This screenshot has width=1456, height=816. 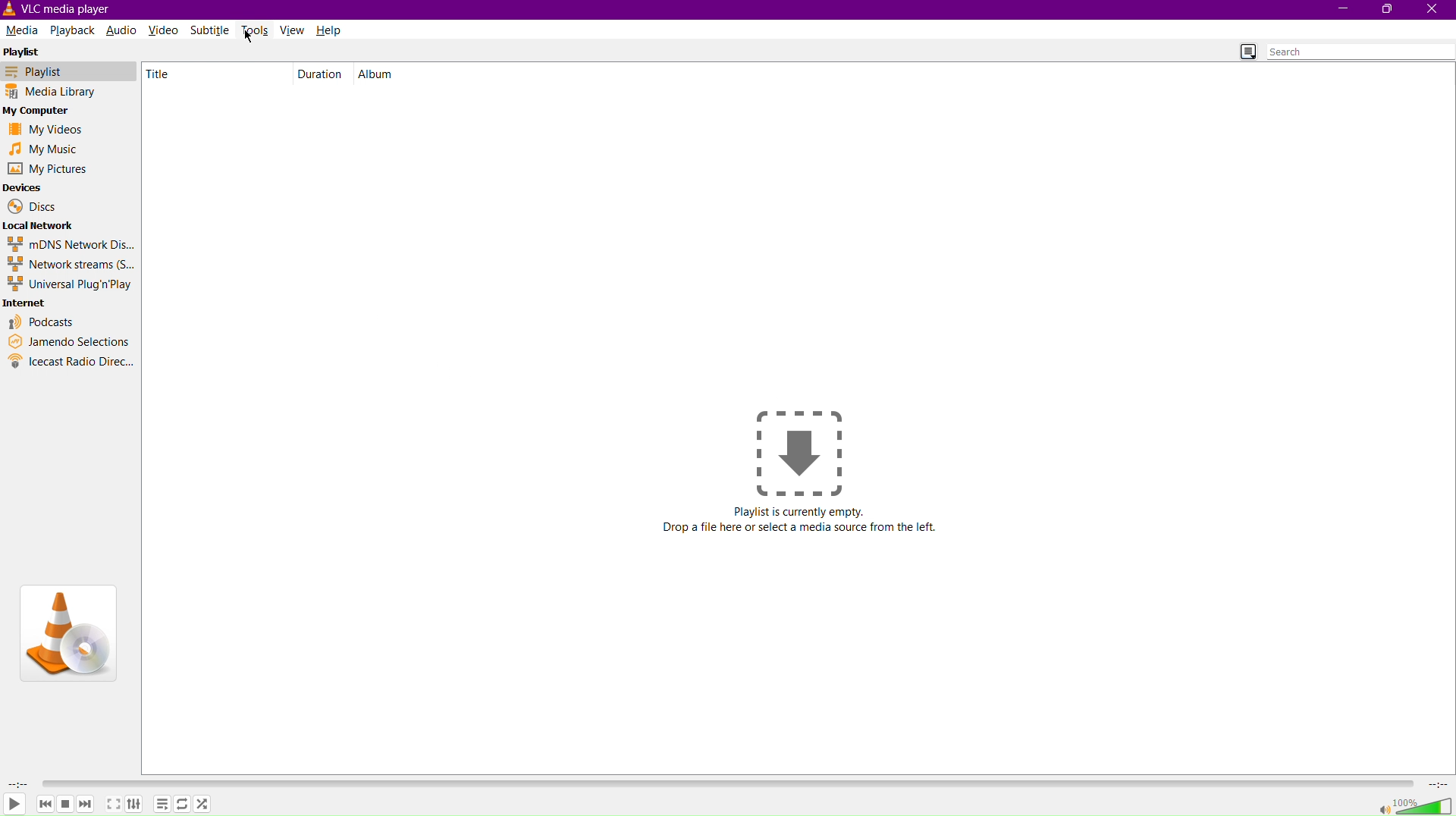 I want to click on My Pictures, so click(x=52, y=170).